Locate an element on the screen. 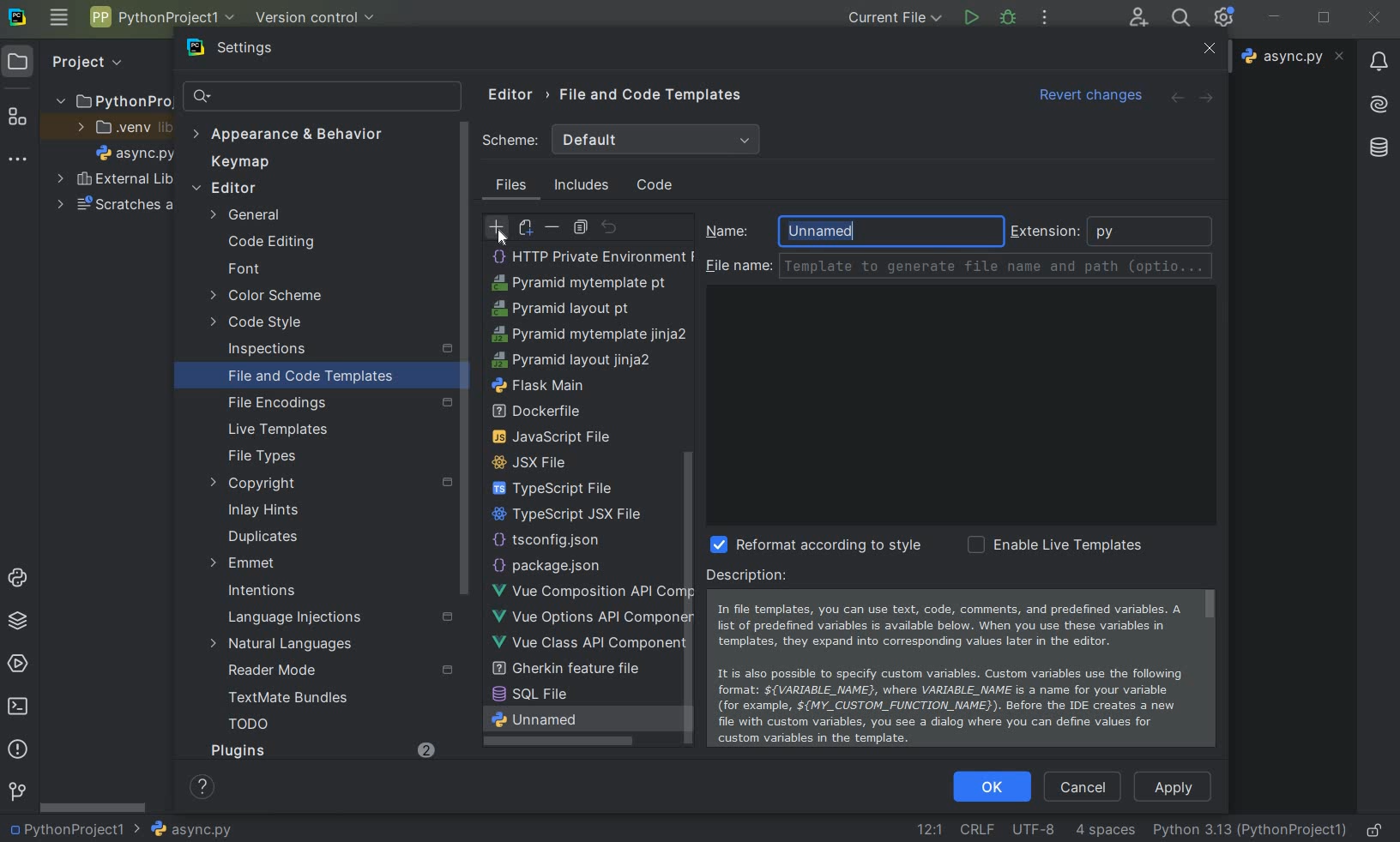 The height and width of the screenshot is (842, 1400). editor is located at coordinates (511, 96).